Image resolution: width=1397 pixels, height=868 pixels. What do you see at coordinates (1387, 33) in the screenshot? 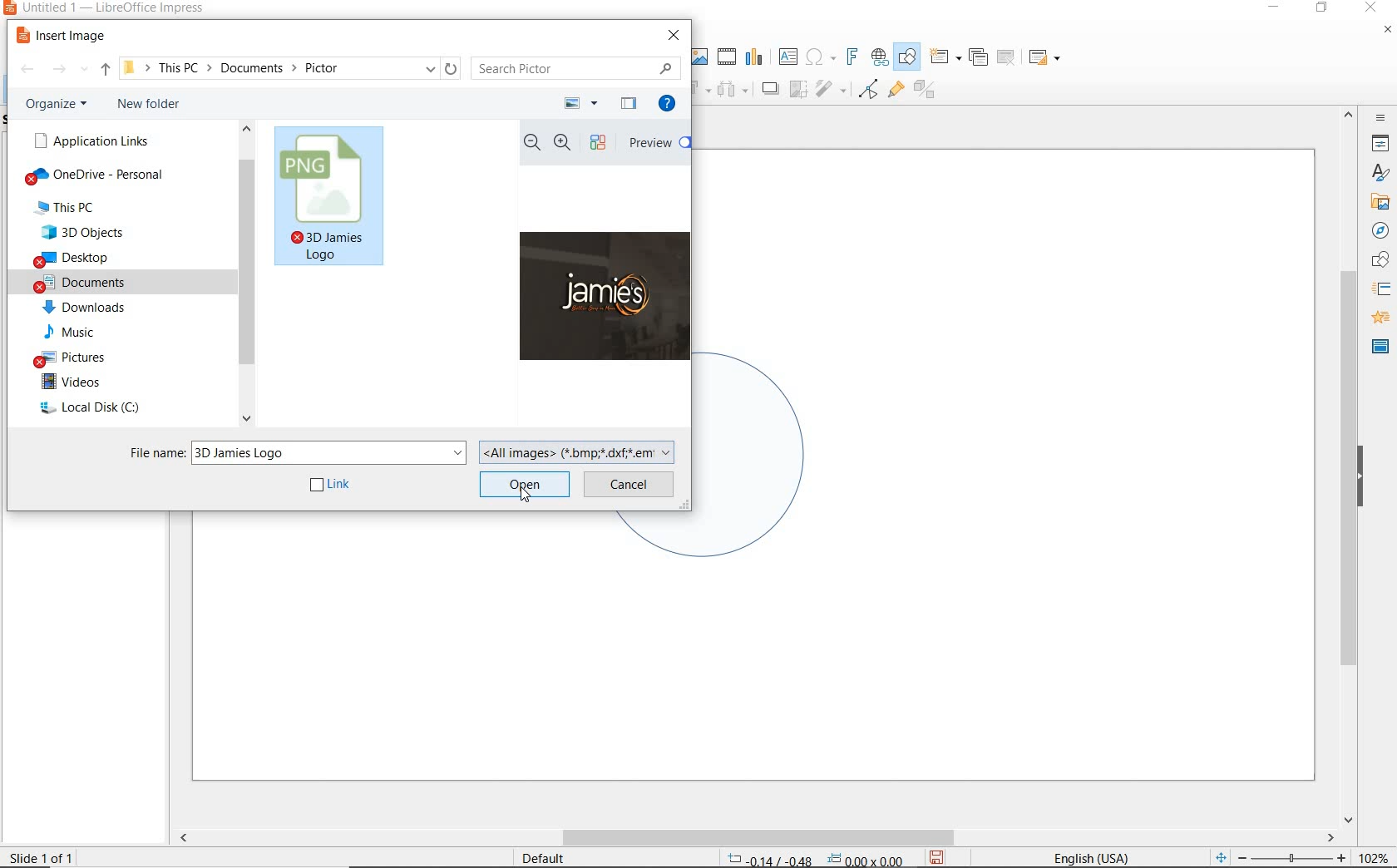
I see `close document` at bounding box center [1387, 33].